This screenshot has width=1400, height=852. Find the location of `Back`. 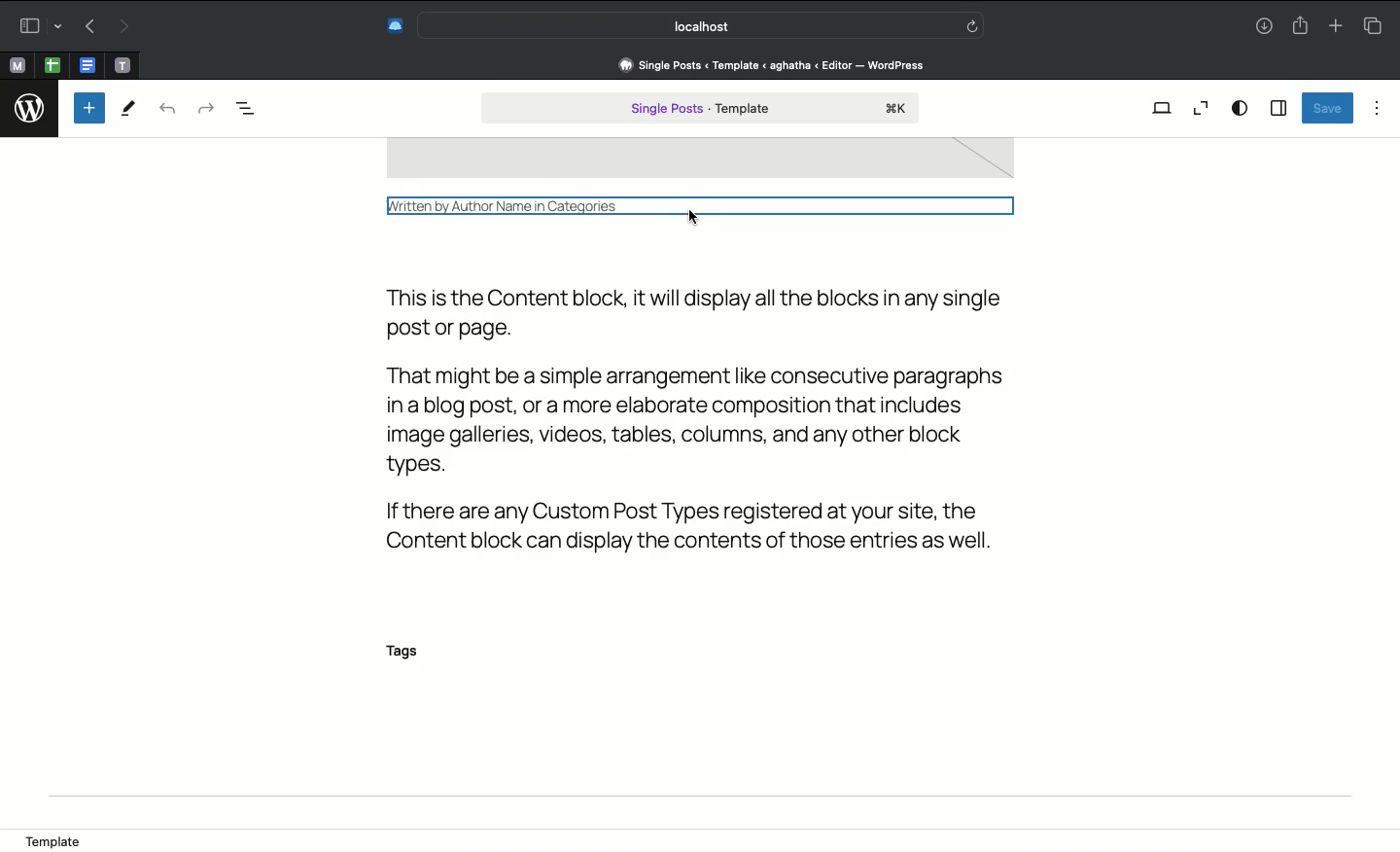

Back is located at coordinates (89, 27).